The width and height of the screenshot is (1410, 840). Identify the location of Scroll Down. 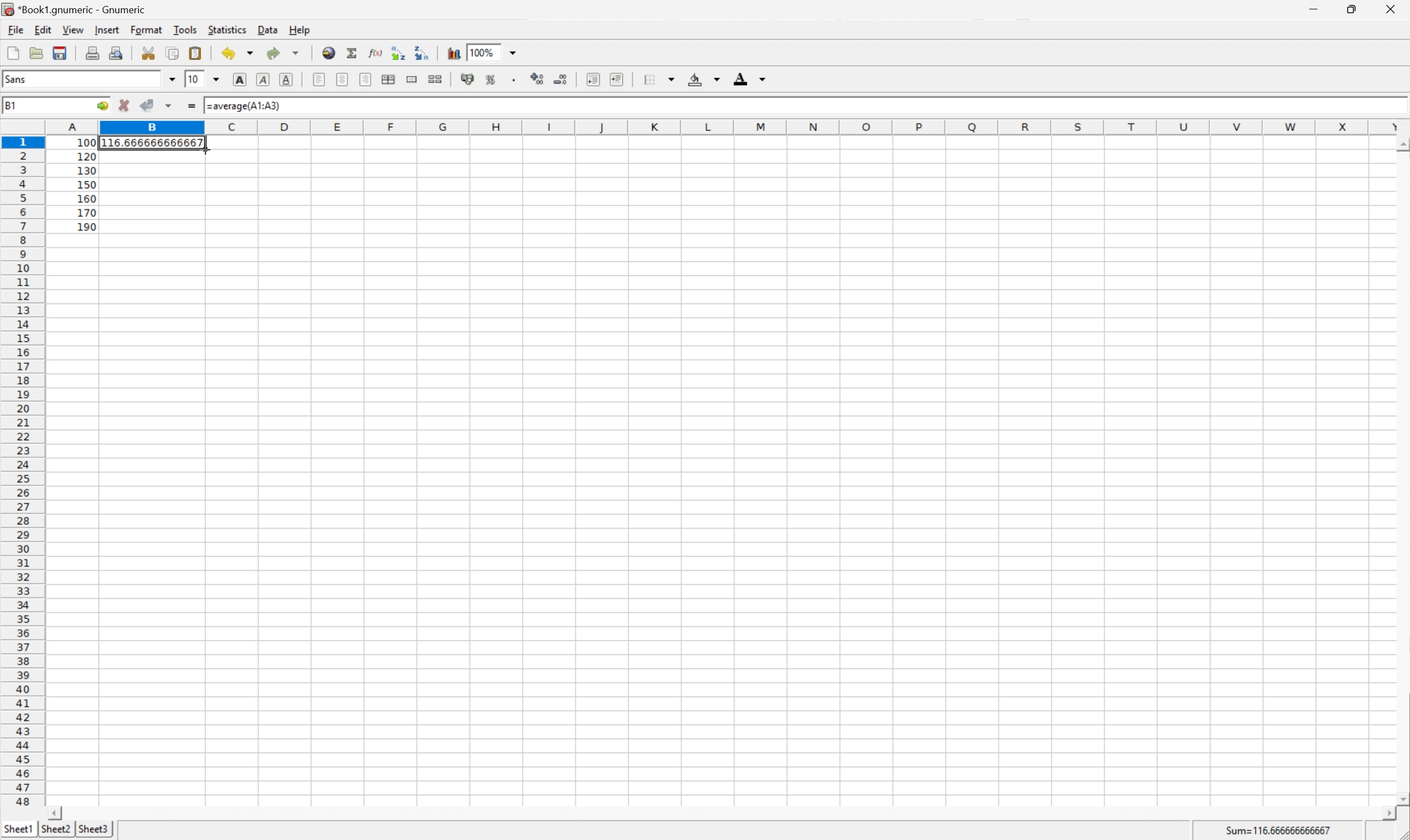
(1401, 797).